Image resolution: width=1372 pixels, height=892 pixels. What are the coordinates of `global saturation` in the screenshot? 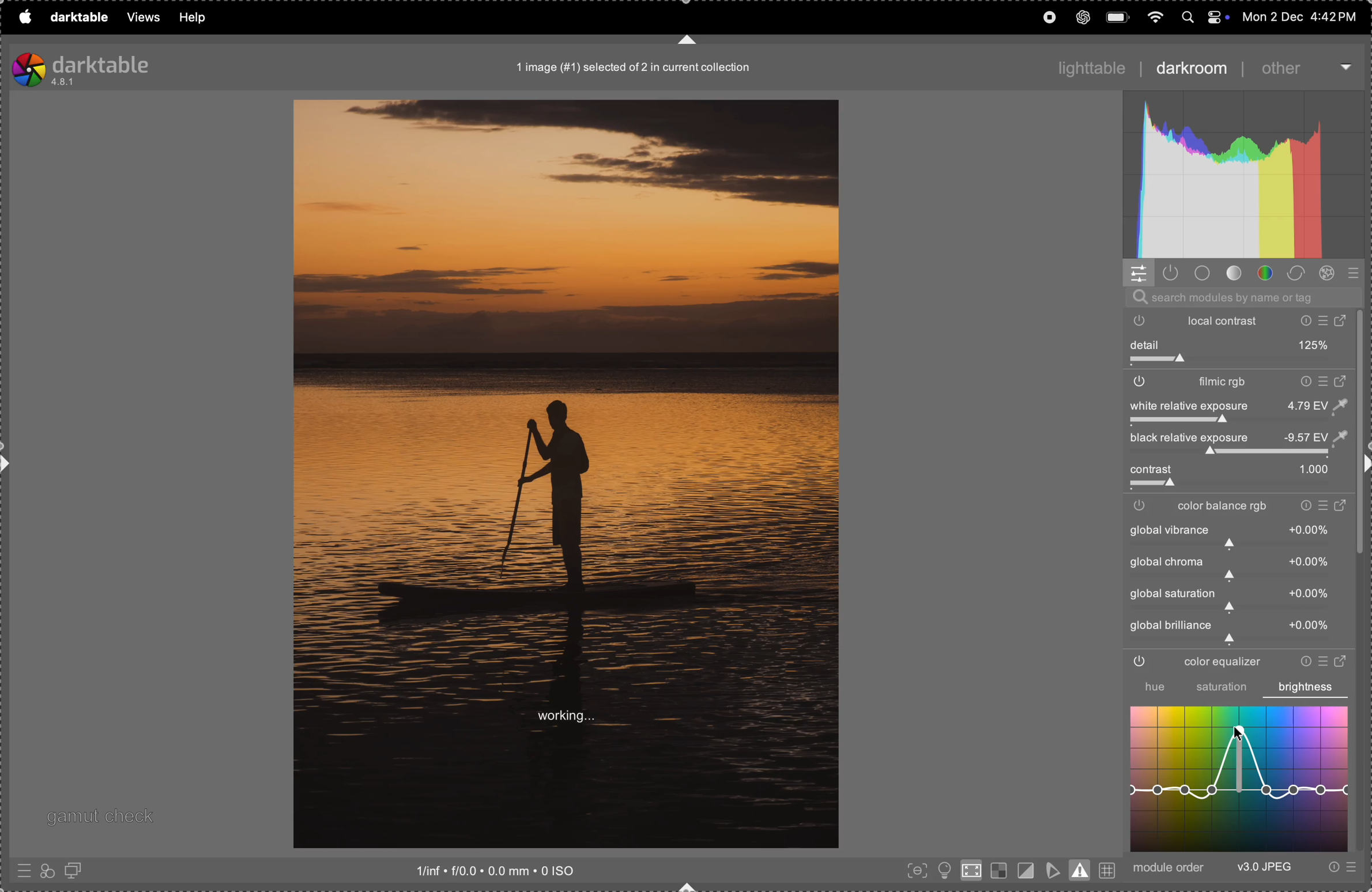 It's located at (1235, 599).